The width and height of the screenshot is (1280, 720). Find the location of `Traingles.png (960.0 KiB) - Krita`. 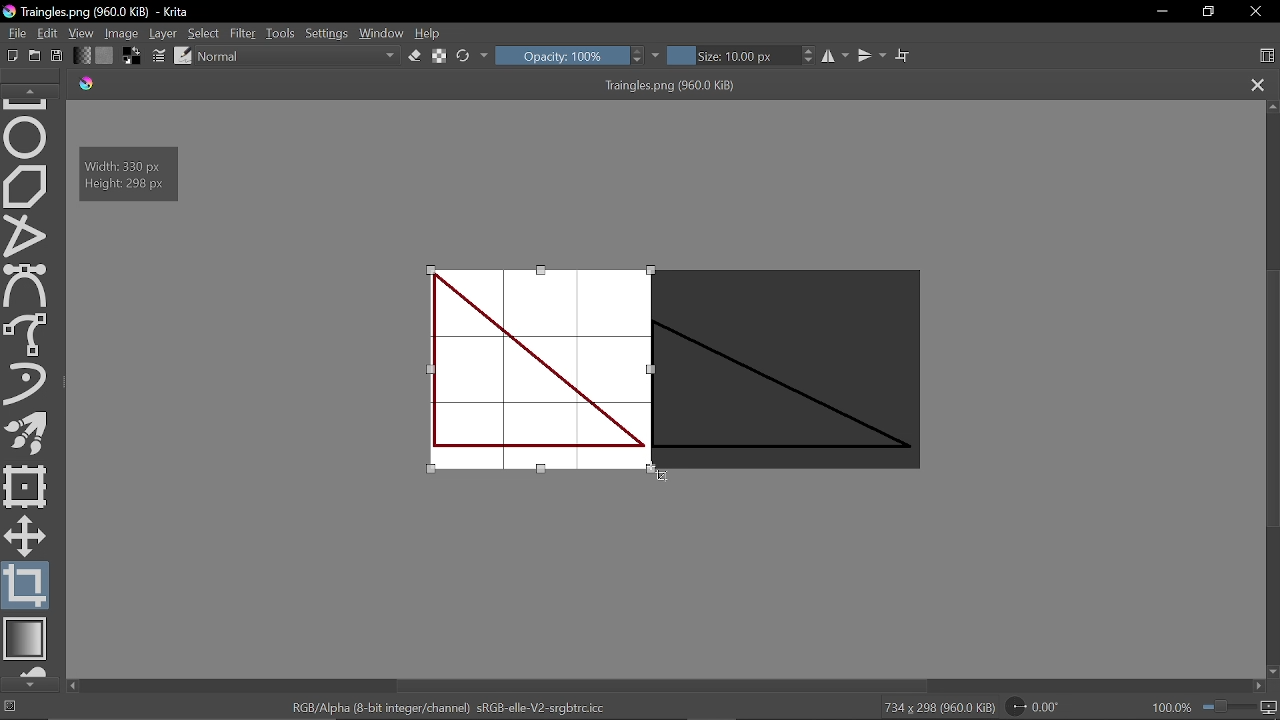

Traingles.png (960.0 KiB) - Krita is located at coordinates (99, 13).